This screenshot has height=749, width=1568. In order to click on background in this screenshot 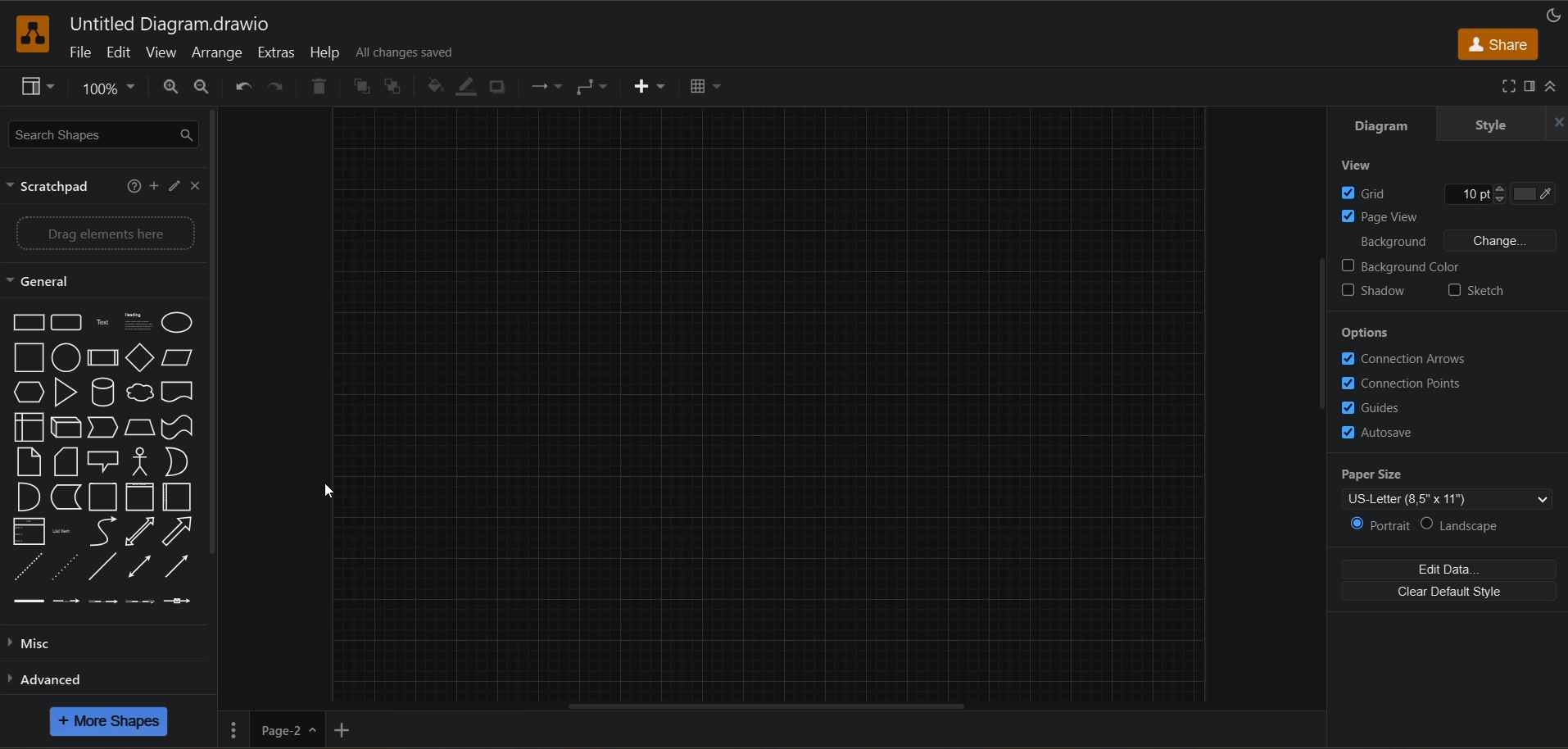, I will do `click(1456, 240)`.